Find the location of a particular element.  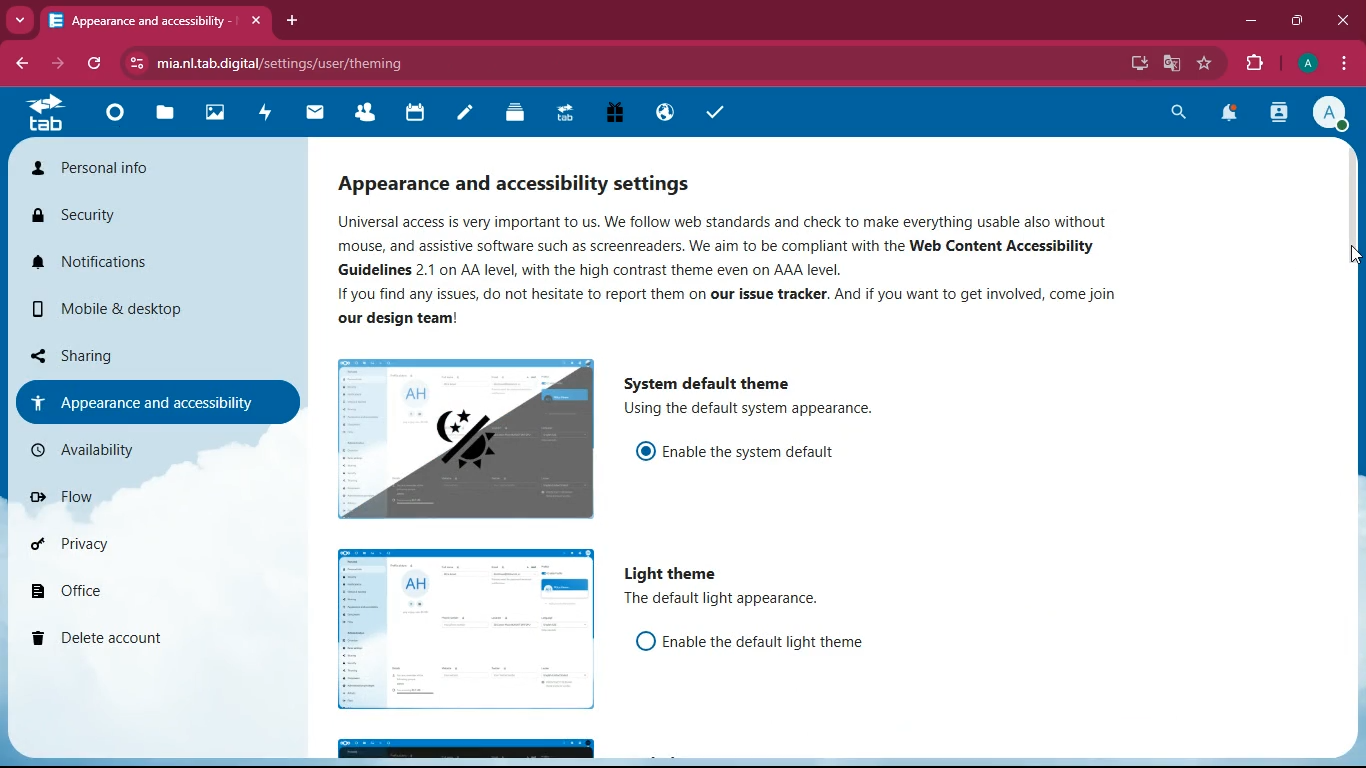

description is located at coordinates (762, 409).